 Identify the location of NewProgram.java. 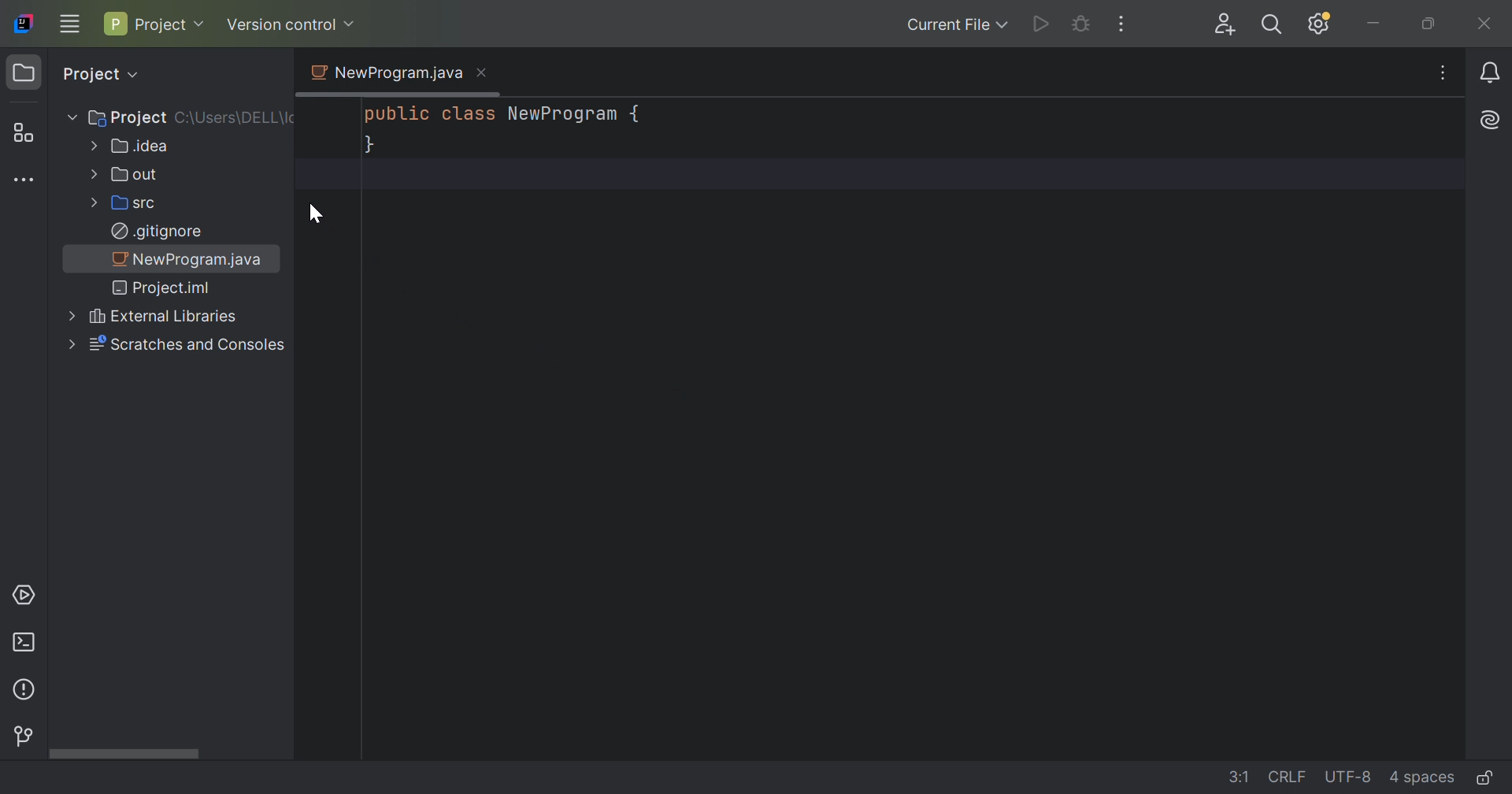
(192, 258).